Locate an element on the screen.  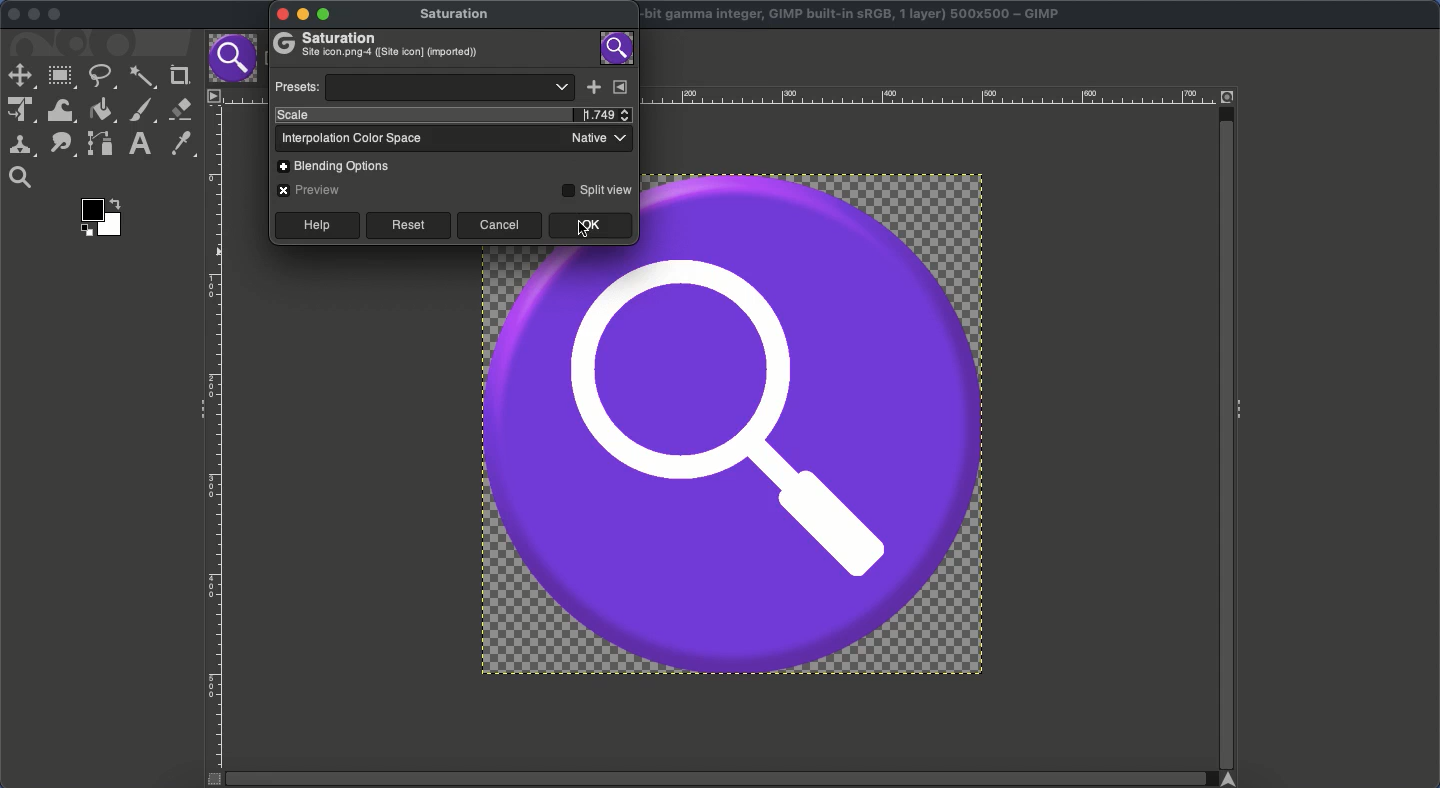
Rectangular selector is located at coordinates (61, 79).